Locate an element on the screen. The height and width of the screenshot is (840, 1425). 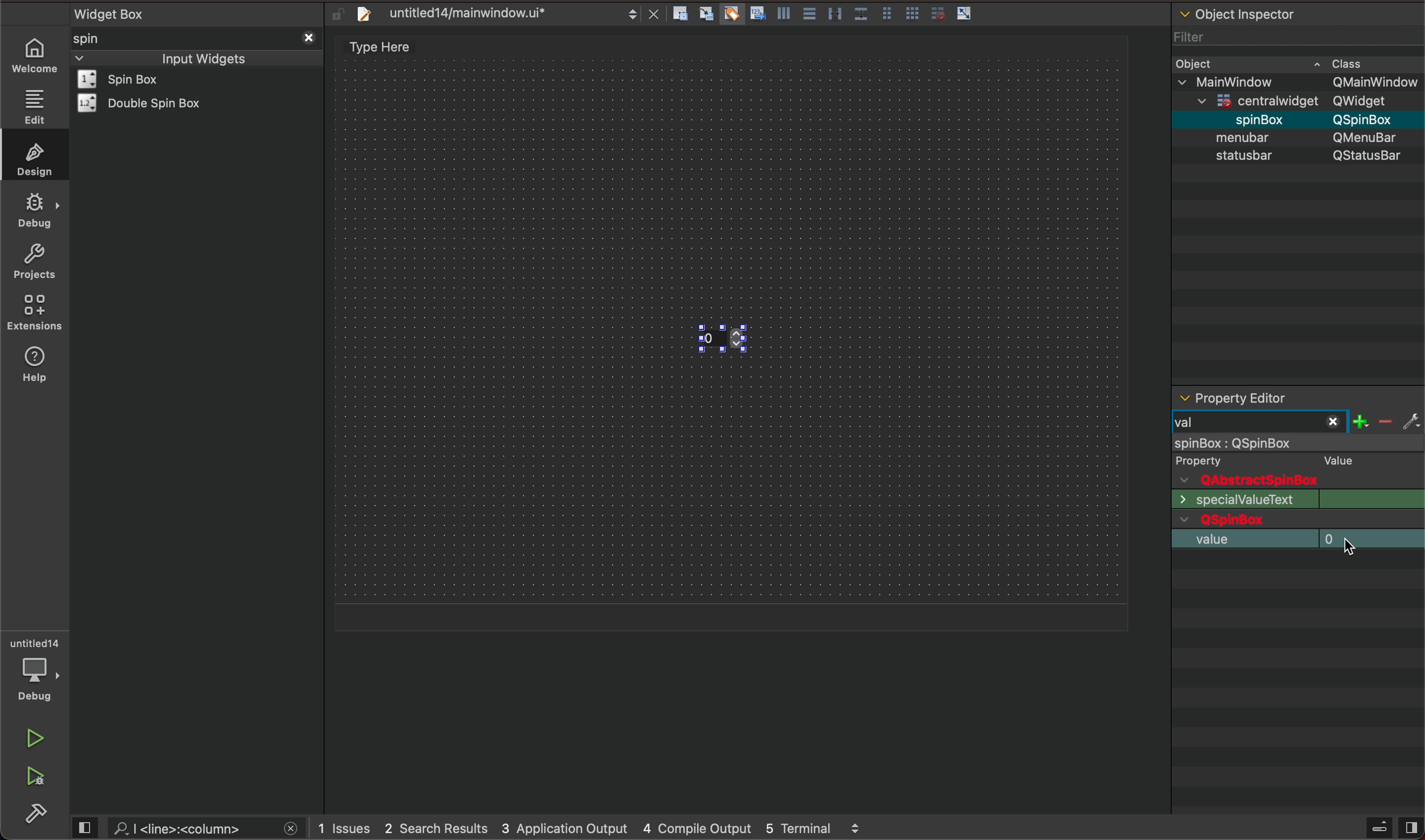
widget box is located at coordinates (200, 12).